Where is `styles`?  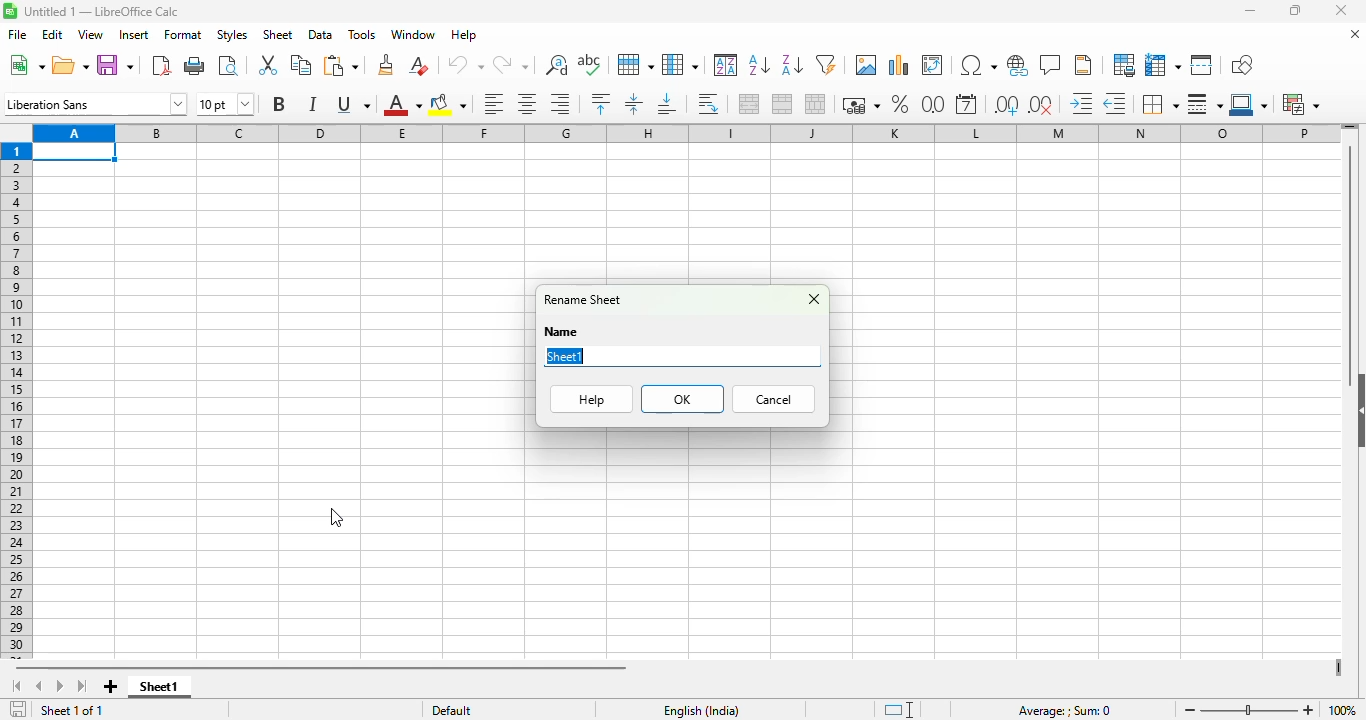 styles is located at coordinates (232, 34).